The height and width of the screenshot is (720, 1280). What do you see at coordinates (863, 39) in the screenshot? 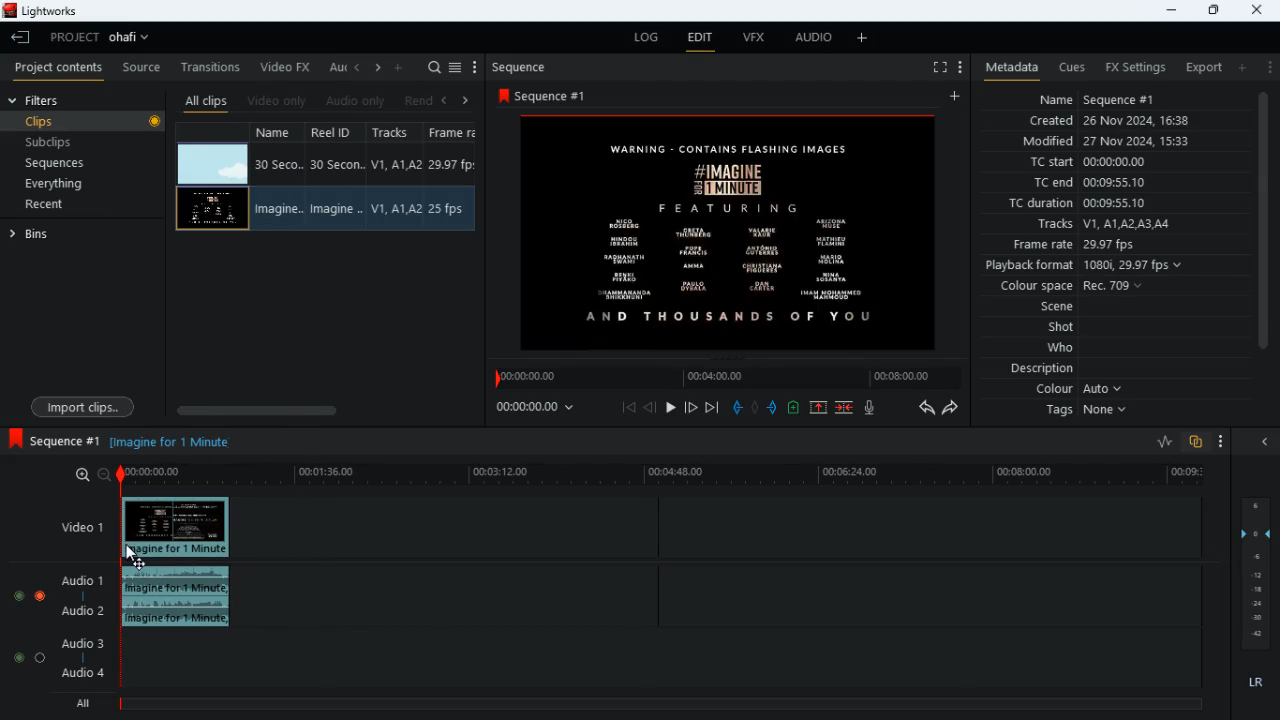
I see `add` at bounding box center [863, 39].